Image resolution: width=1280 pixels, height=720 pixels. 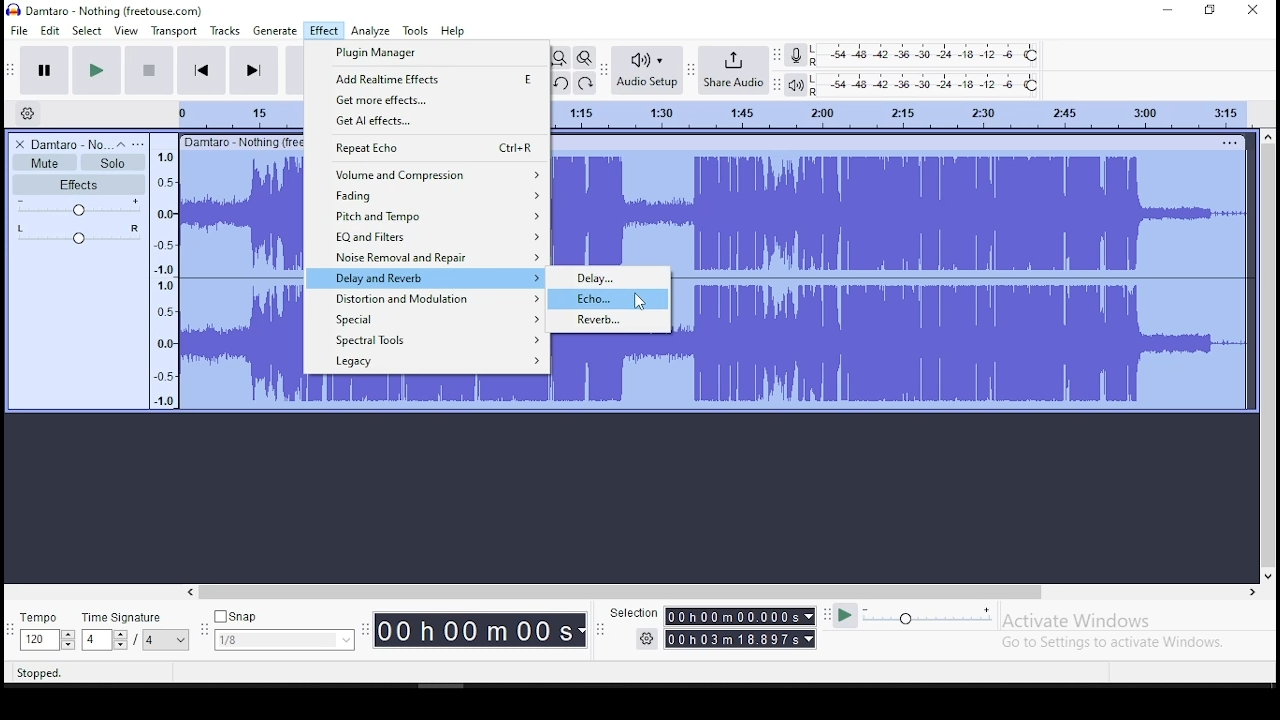 I want to click on play, so click(x=846, y=618).